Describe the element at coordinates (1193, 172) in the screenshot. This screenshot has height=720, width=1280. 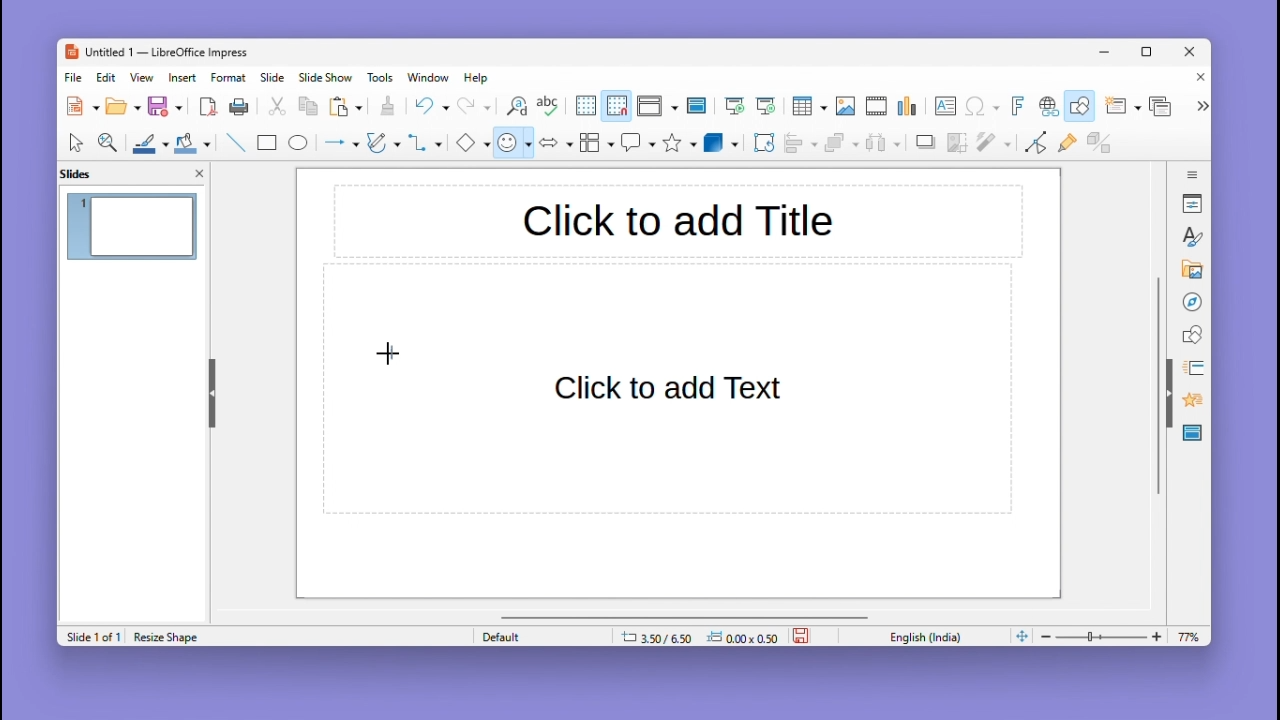
I see `Sidebar settings` at that location.